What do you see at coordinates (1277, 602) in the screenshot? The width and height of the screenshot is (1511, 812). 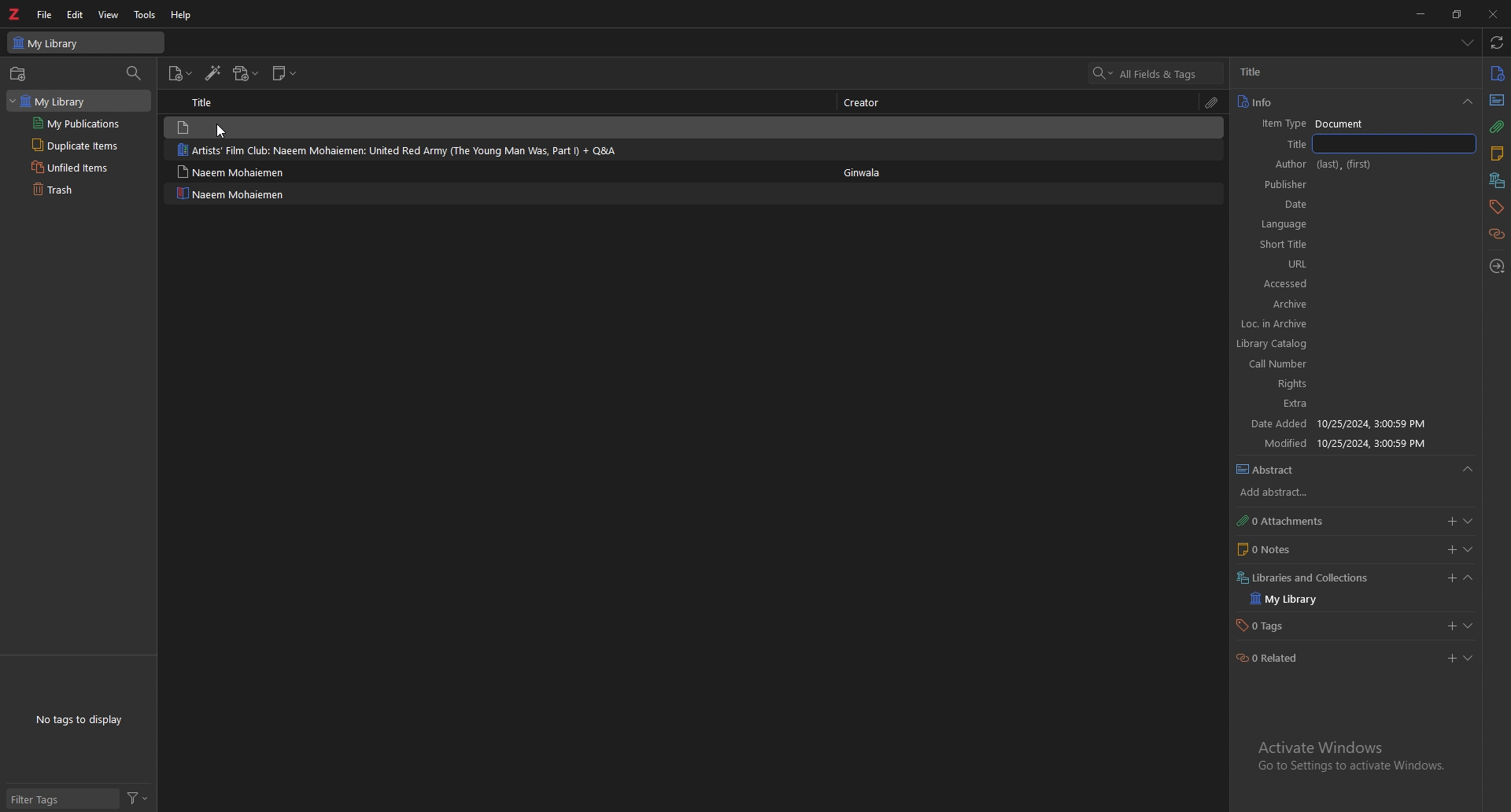 I see `date added` at bounding box center [1277, 602].